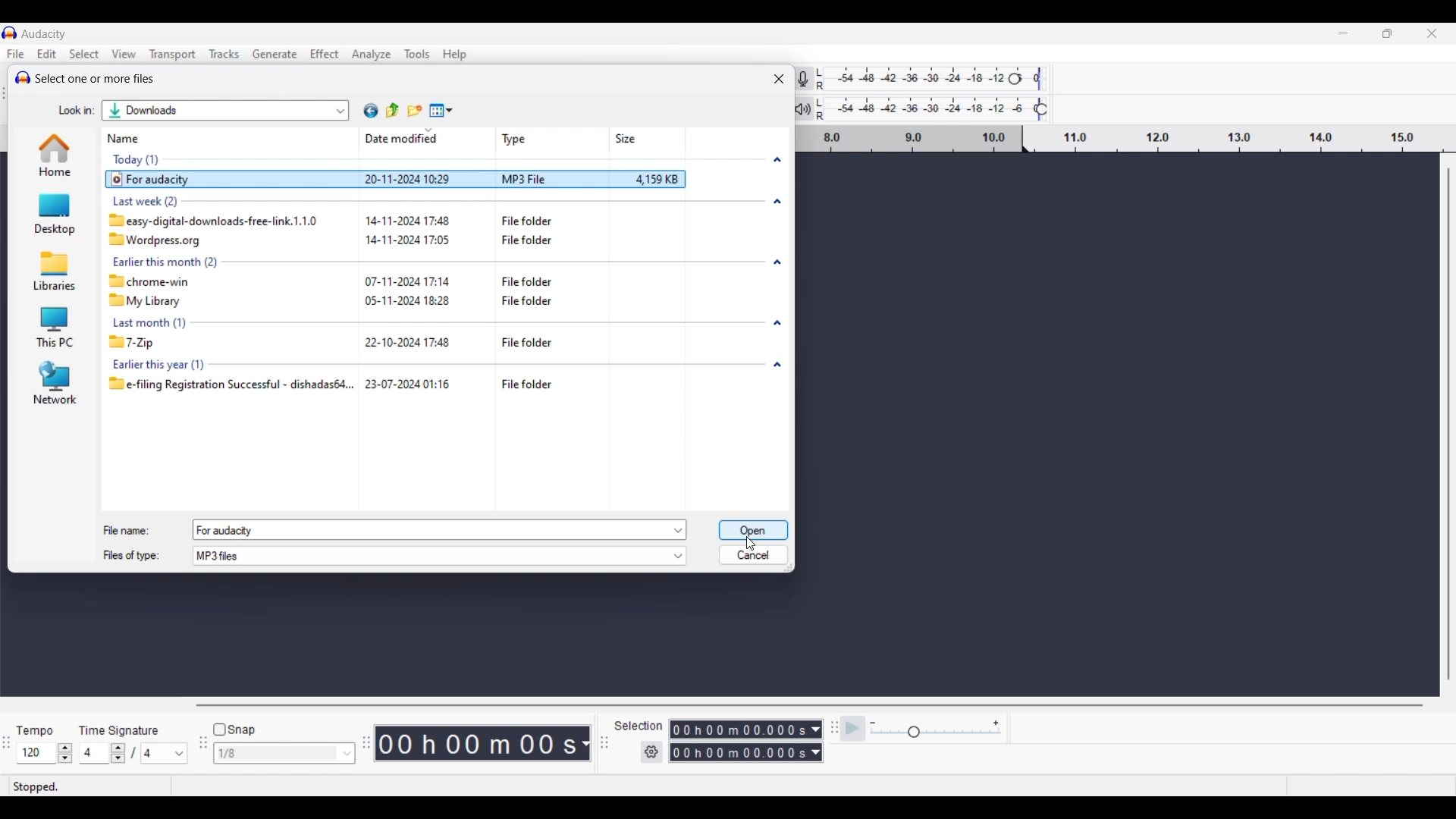  What do you see at coordinates (275, 54) in the screenshot?
I see `Generate menu` at bounding box center [275, 54].